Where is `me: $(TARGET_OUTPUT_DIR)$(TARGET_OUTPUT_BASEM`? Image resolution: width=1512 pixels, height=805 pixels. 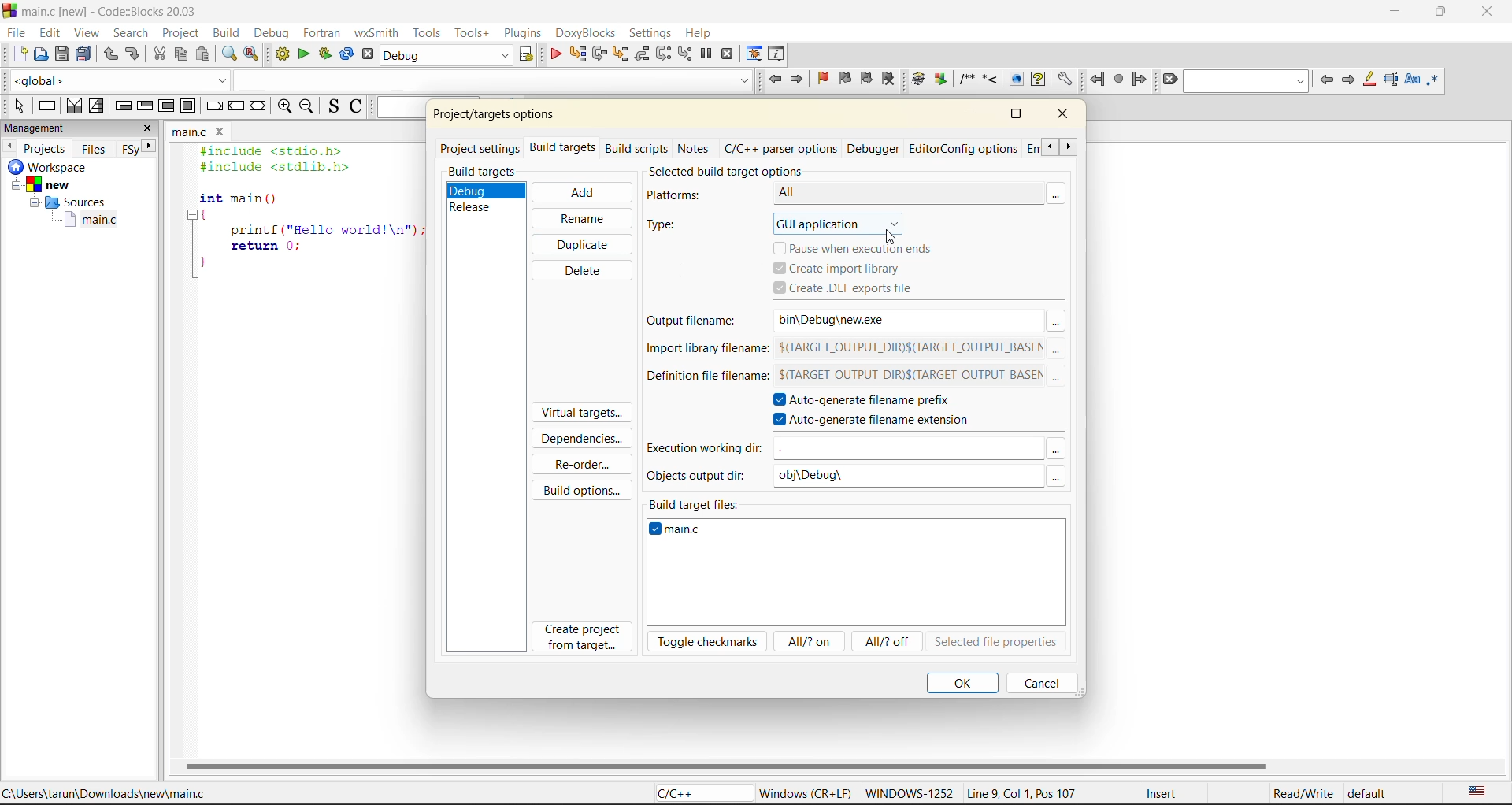 me: $(TARGET_OUTPUT_DIR)$(TARGET_OUTPUT_BASEM is located at coordinates (909, 349).